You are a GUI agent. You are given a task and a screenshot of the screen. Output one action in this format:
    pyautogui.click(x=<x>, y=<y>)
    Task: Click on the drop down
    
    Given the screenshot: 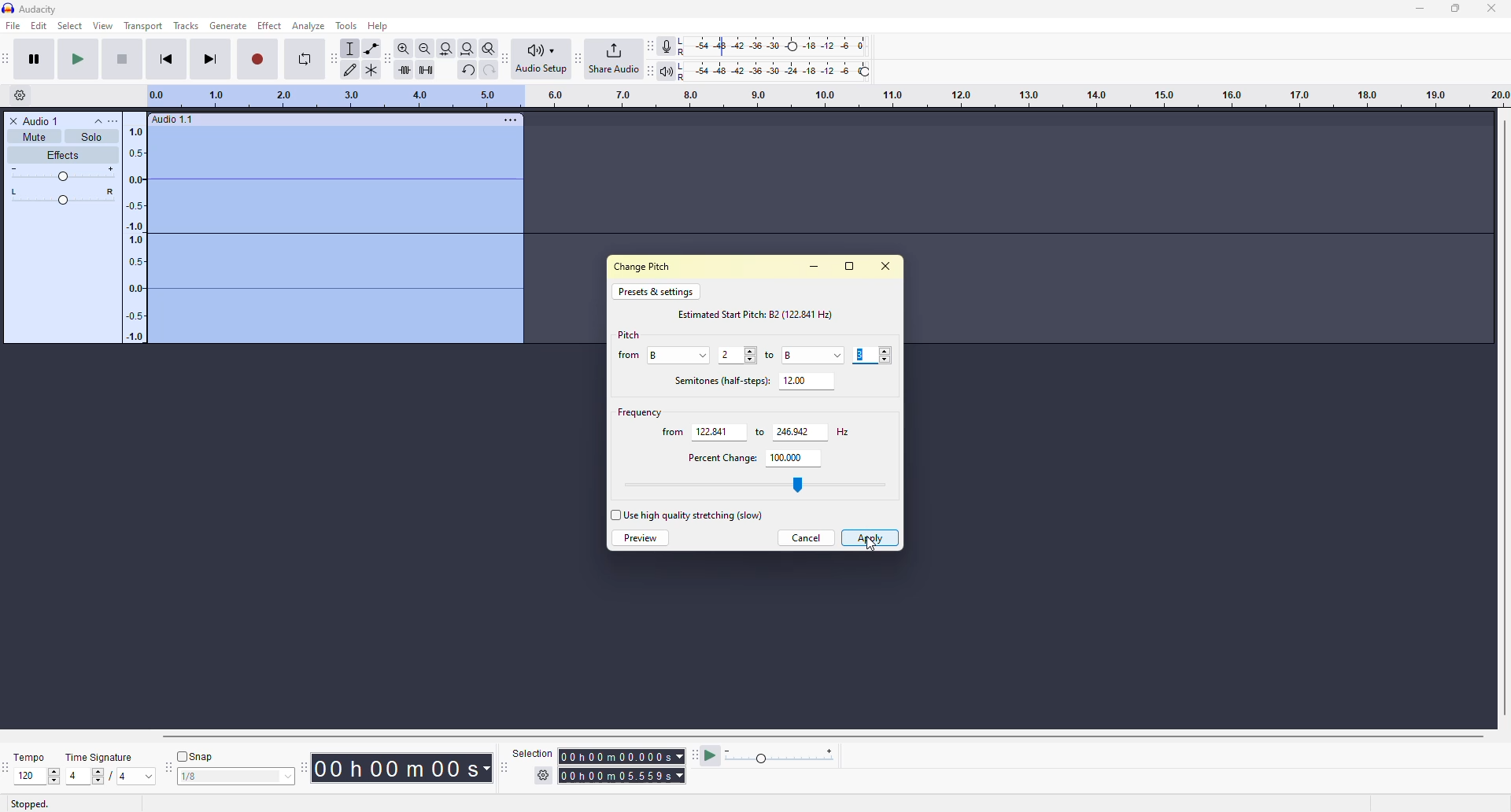 What is the action you would take?
    pyautogui.click(x=149, y=777)
    